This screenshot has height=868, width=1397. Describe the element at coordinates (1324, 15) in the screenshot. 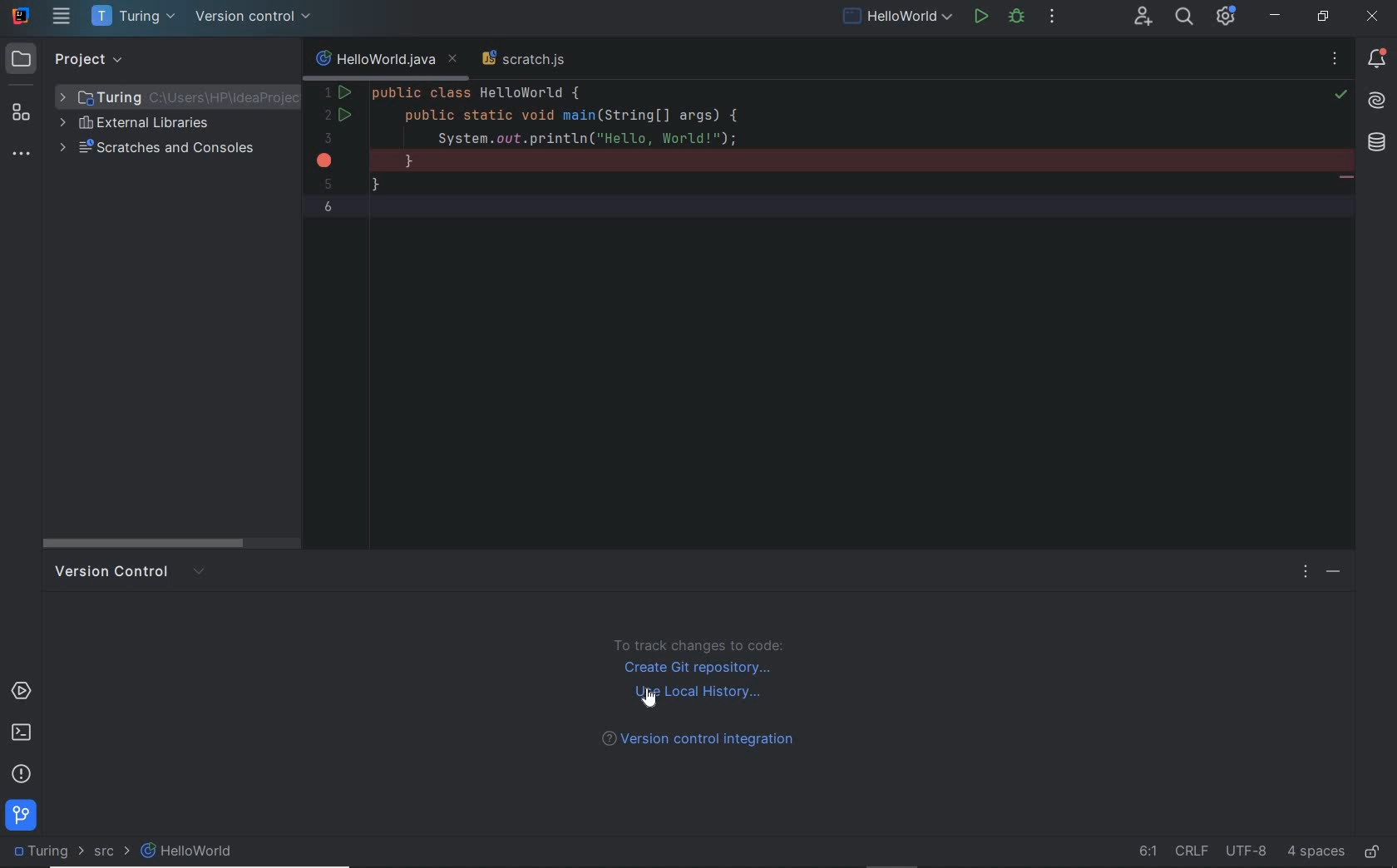

I see `restore down` at that location.